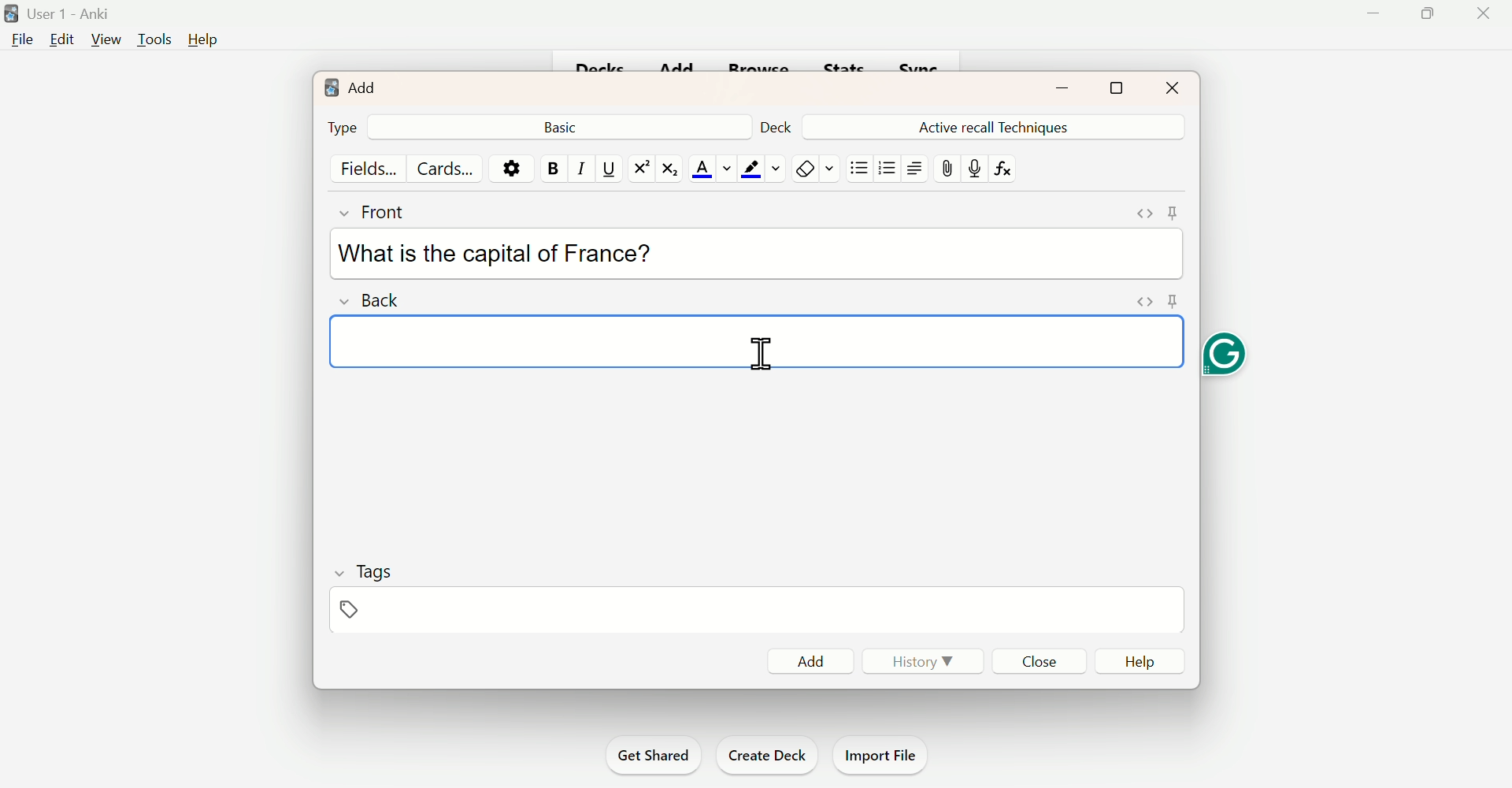 The image size is (1512, 788). I want to click on Options, so click(513, 167).